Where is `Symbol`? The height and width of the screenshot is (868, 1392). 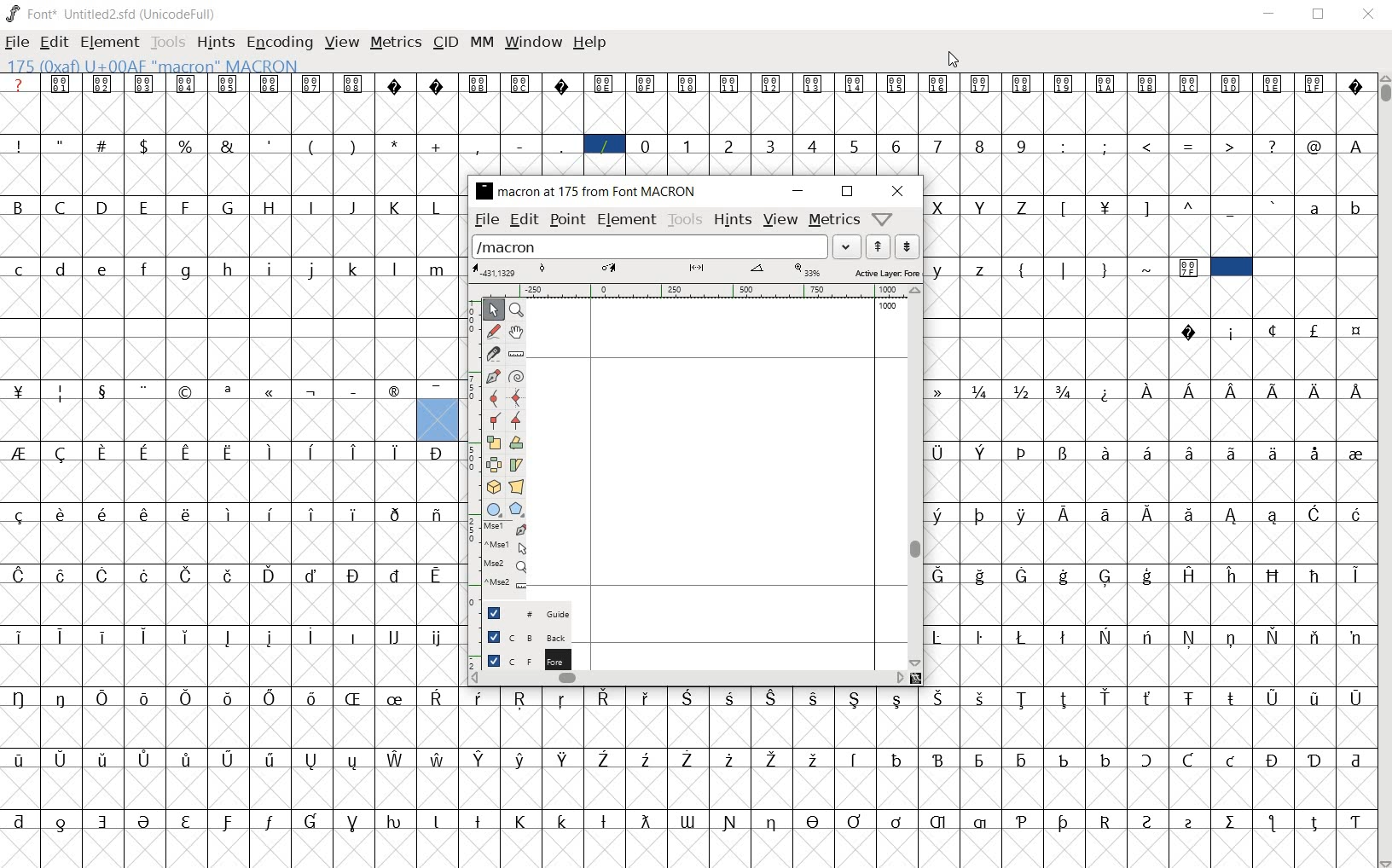 Symbol is located at coordinates (940, 697).